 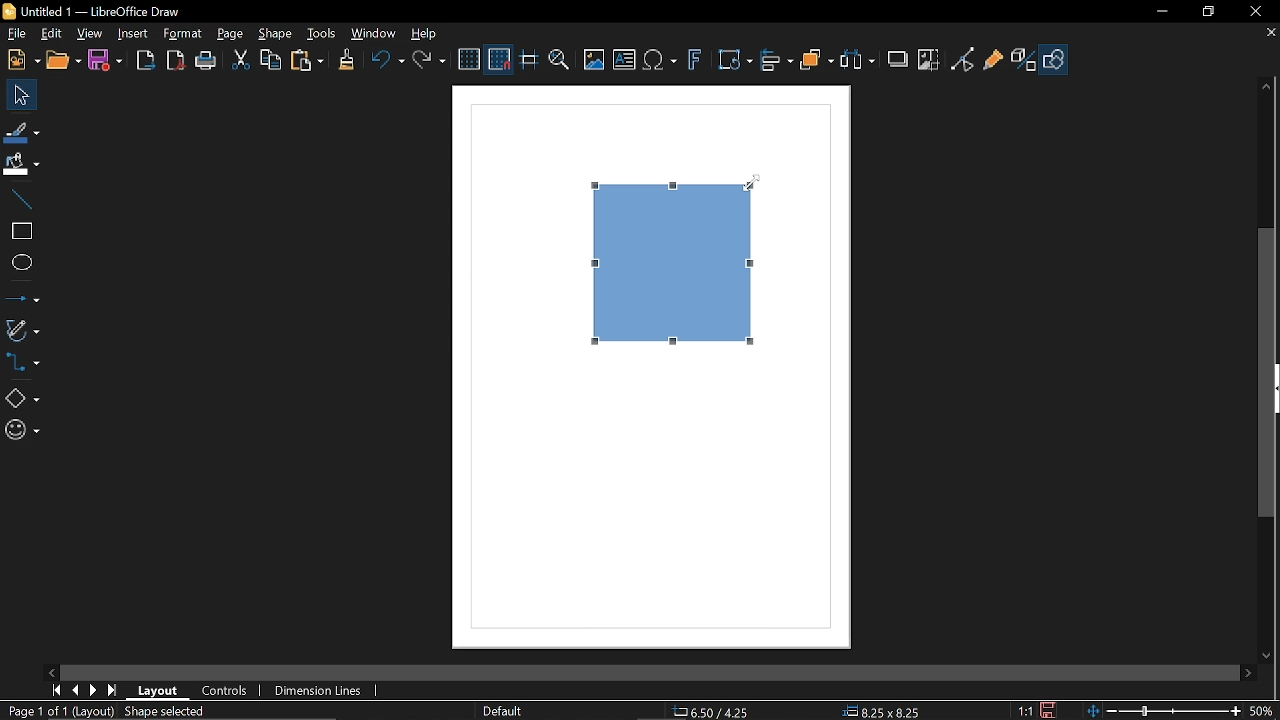 I want to click on Shape, so click(x=274, y=36).